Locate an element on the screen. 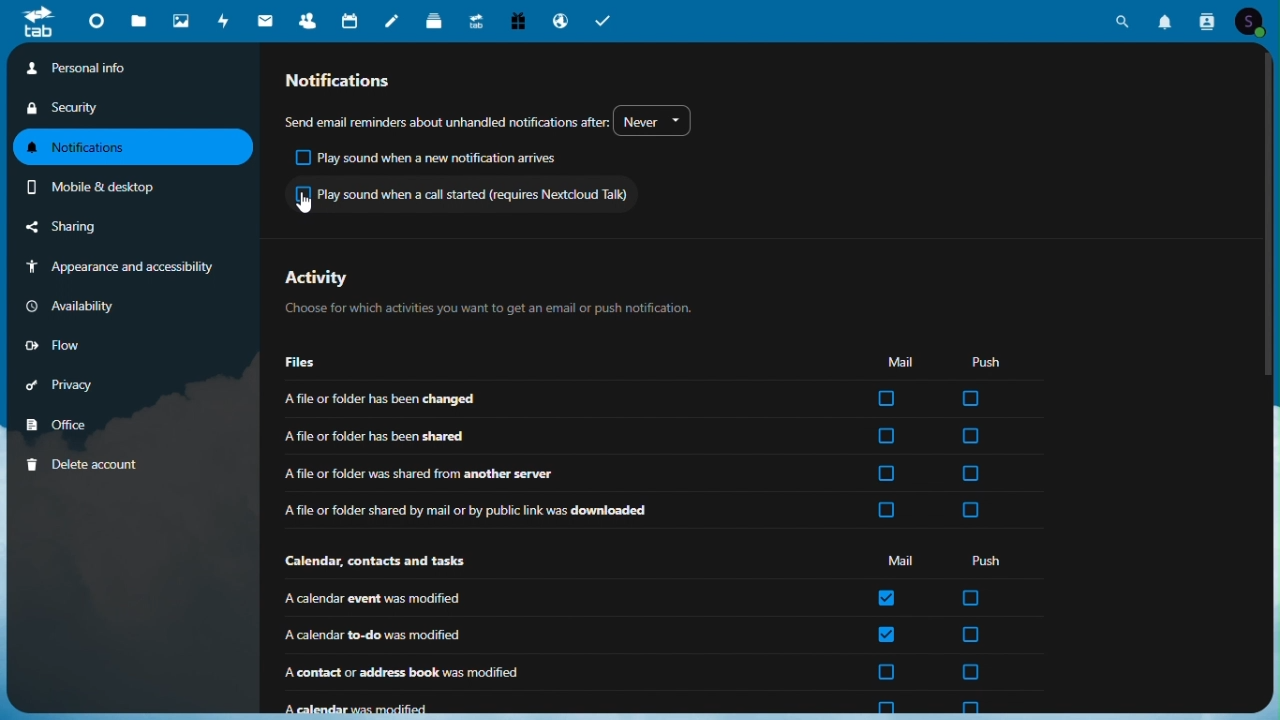 The image size is (1280, 720). tab is located at coordinates (31, 21).